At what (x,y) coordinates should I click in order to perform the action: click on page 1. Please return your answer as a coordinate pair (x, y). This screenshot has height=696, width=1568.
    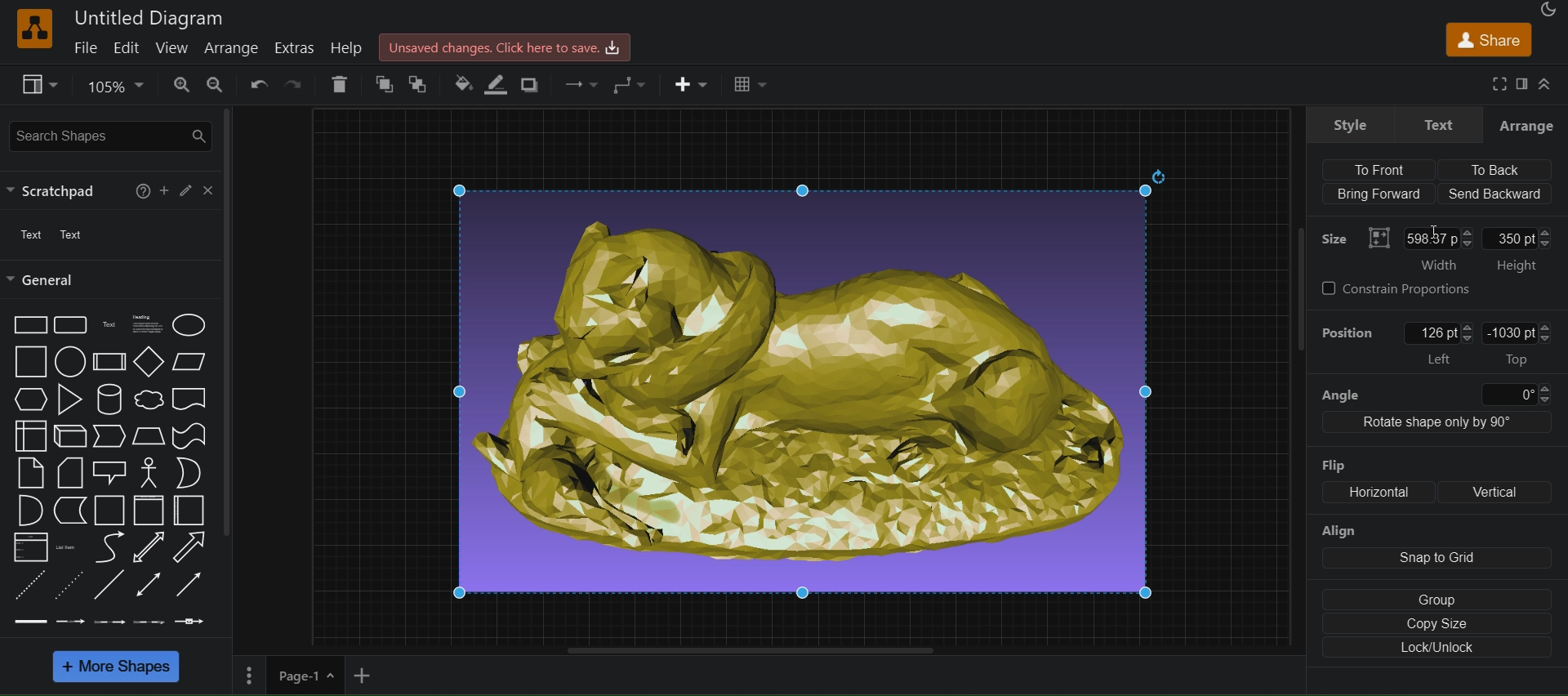
    Looking at the image, I should click on (307, 676).